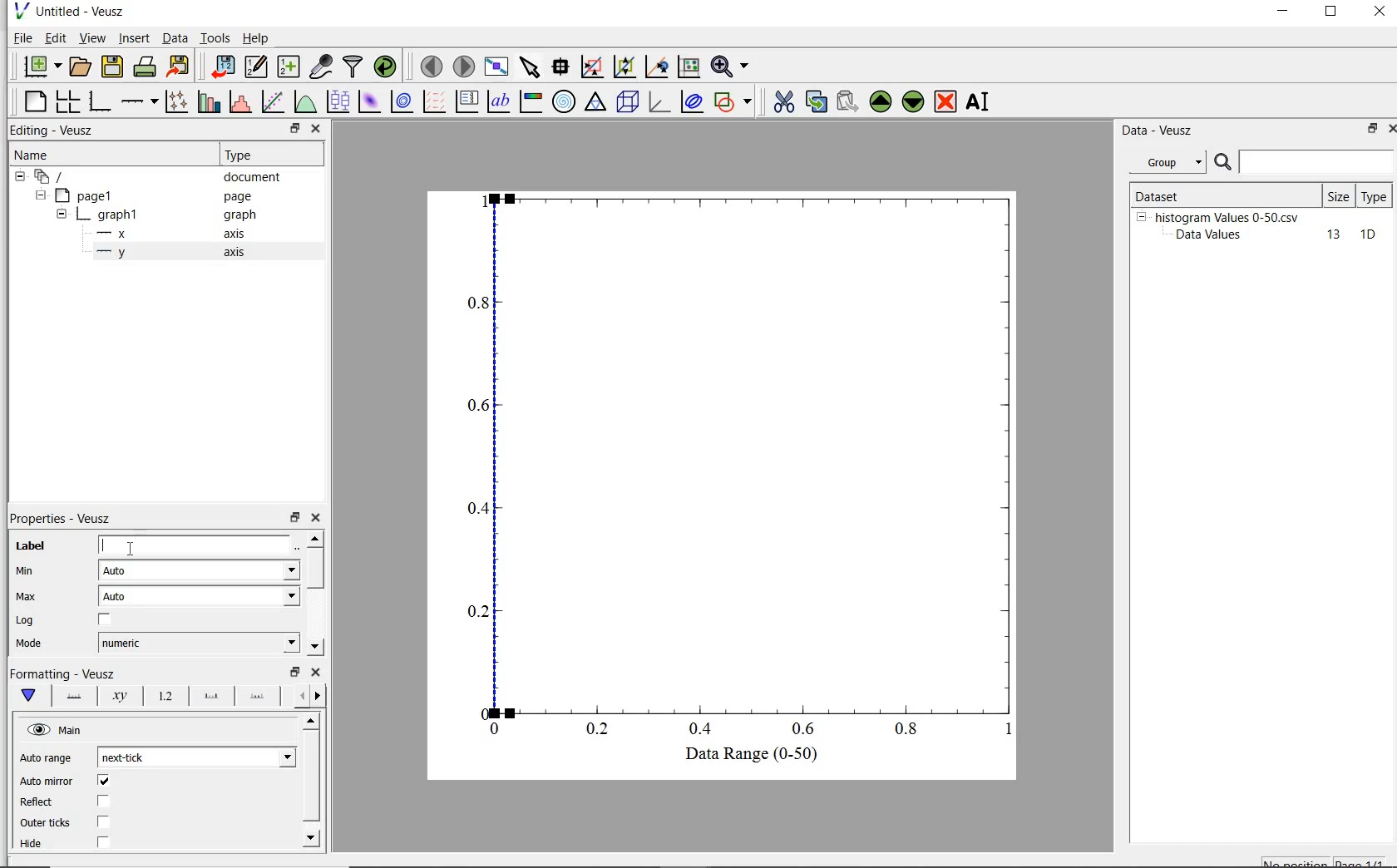  I want to click on rename the selected widget, so click(980, 101).